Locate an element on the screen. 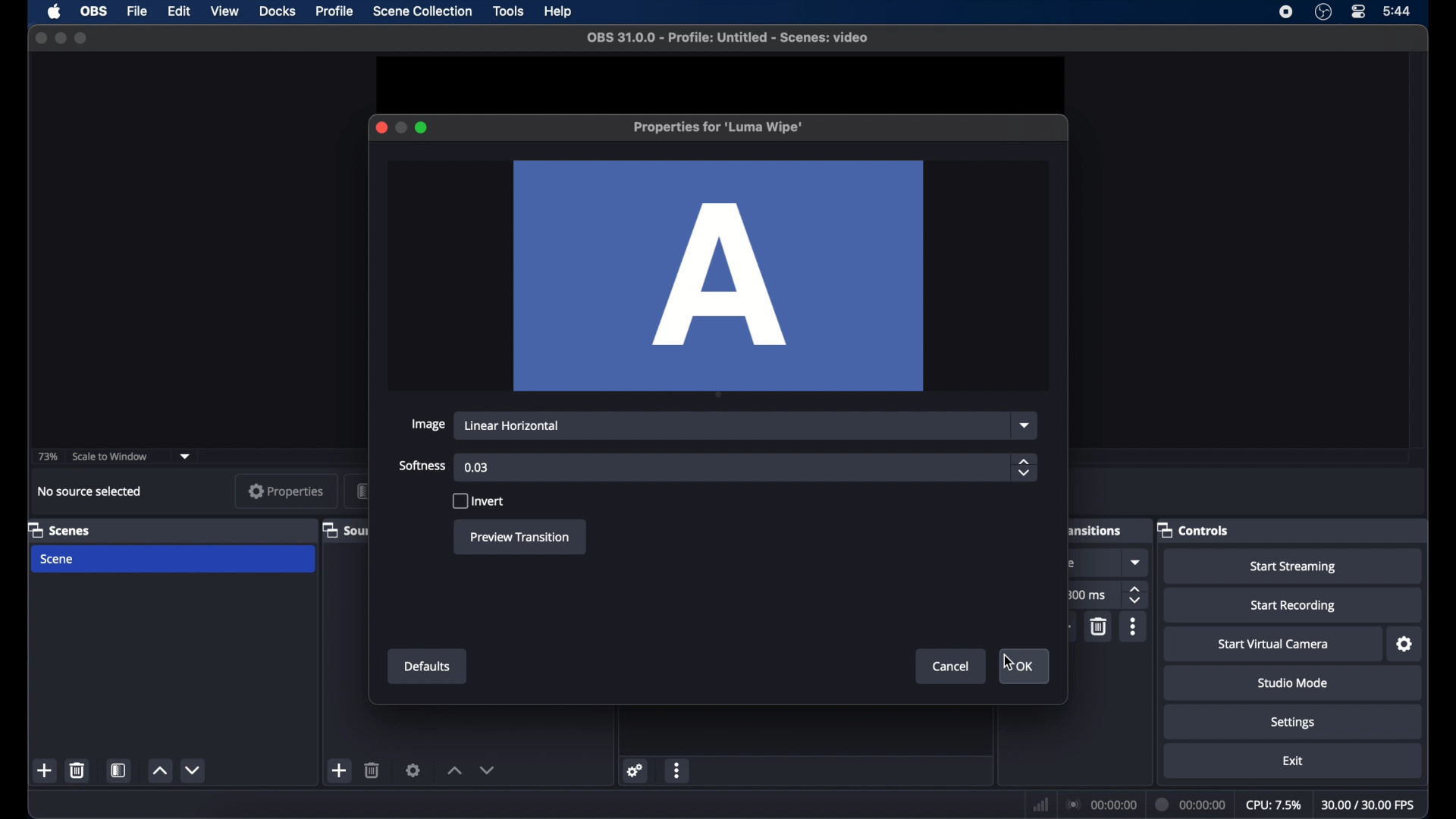  A is located at coordinates (720, 276).